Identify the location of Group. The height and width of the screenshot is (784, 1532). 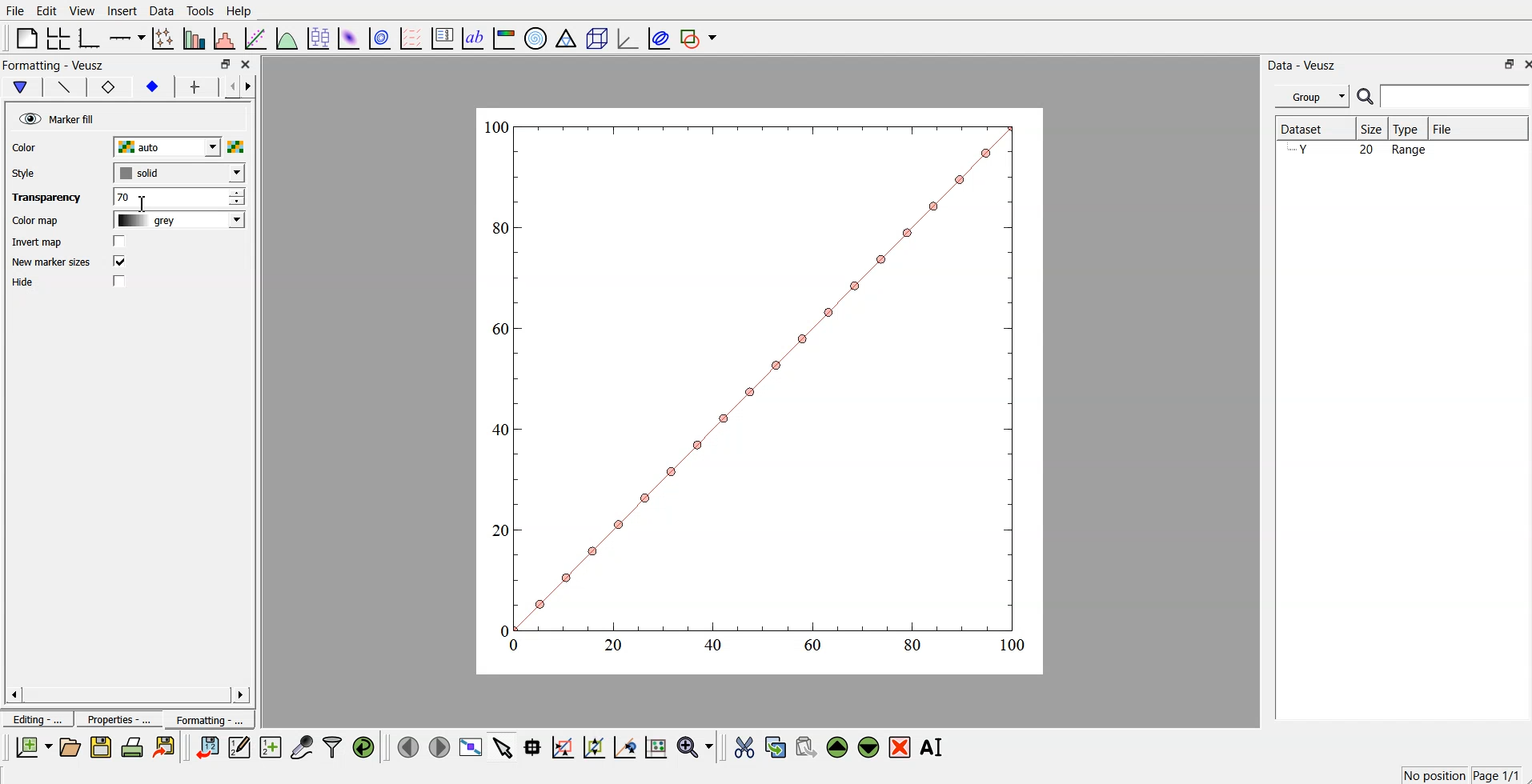
(1309, 97).